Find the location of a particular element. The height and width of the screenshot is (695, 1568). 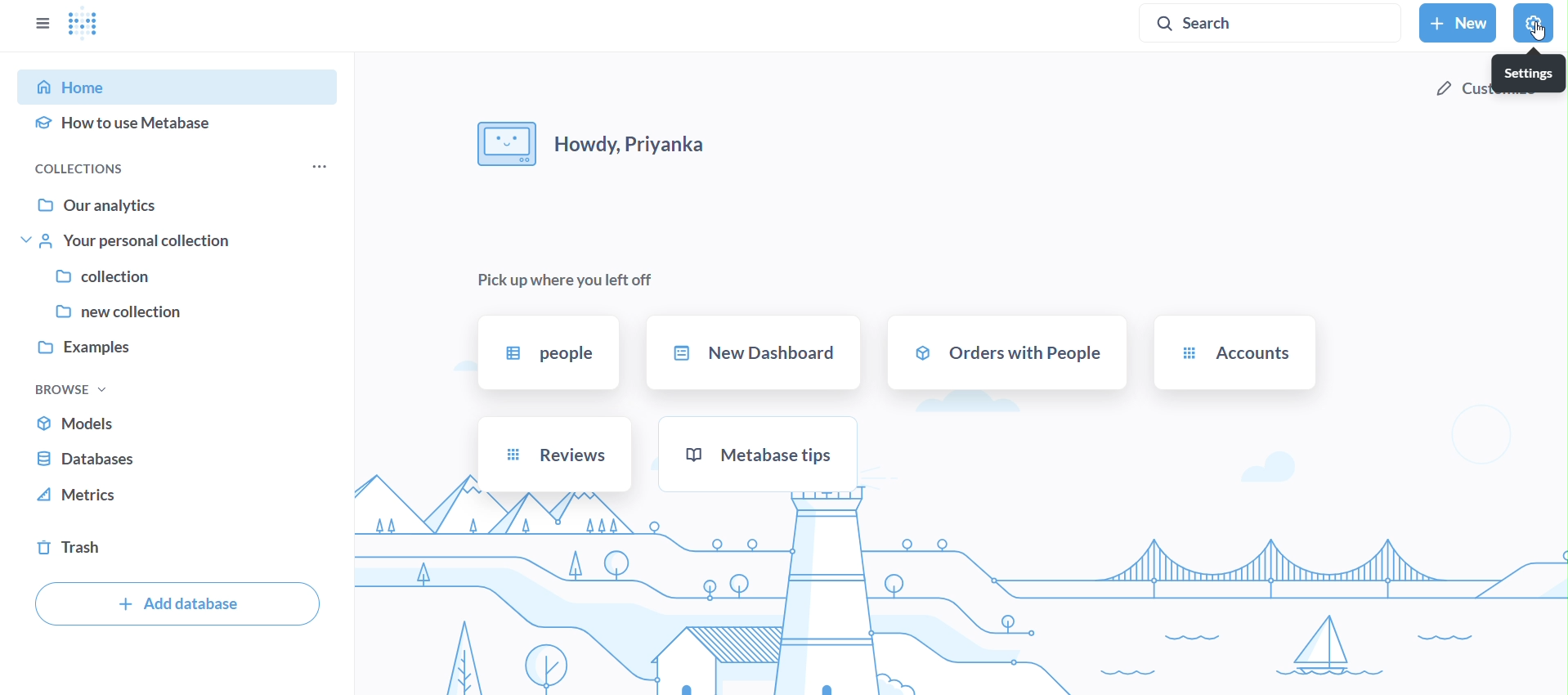

browse is located at coordinates (67, 390).